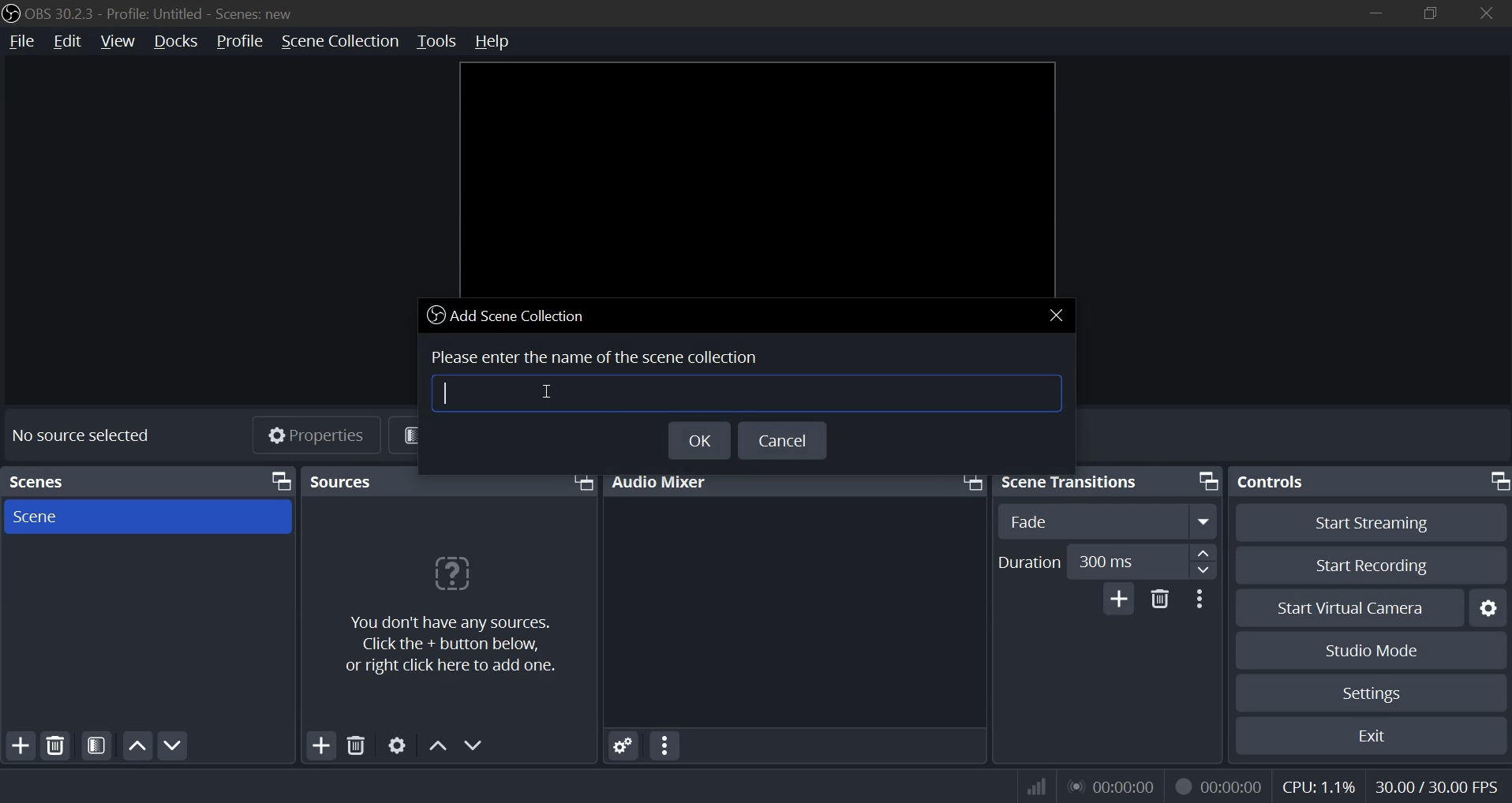 This screenshot has height=803, width=1512. I want to click on audio mixer, so click(664, 480).